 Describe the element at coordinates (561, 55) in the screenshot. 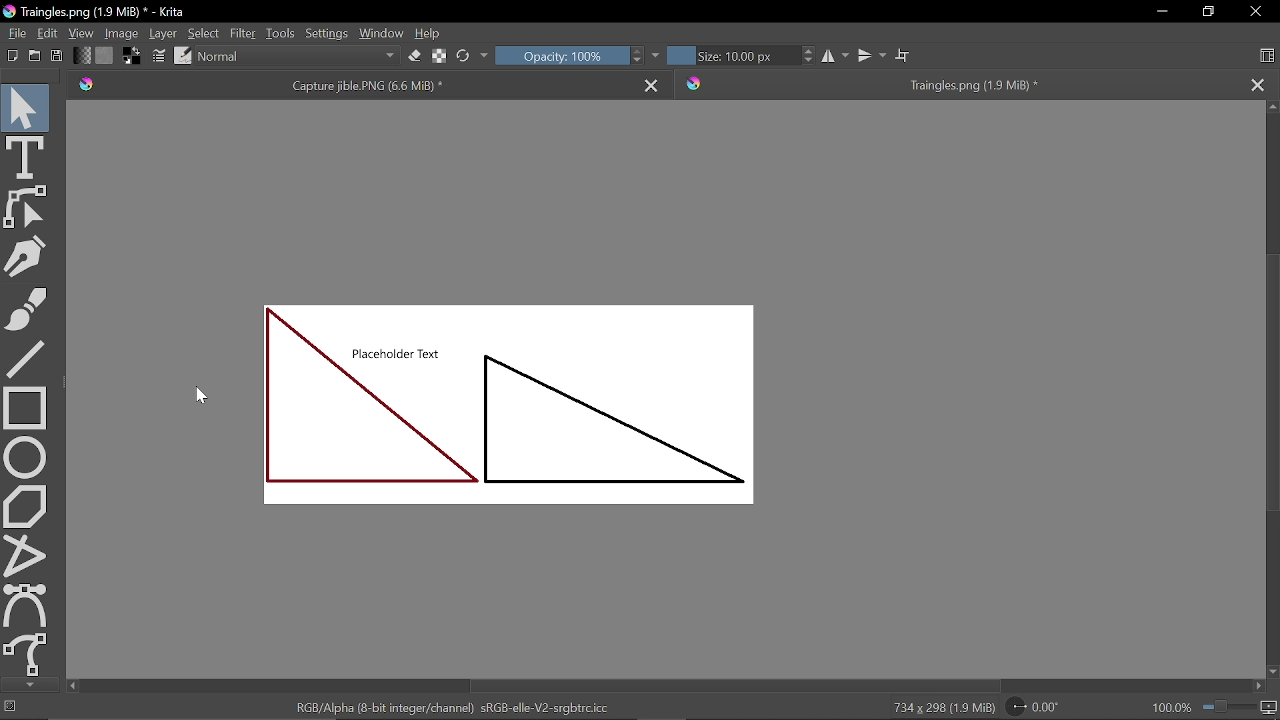

I see `Opacity` at that location.